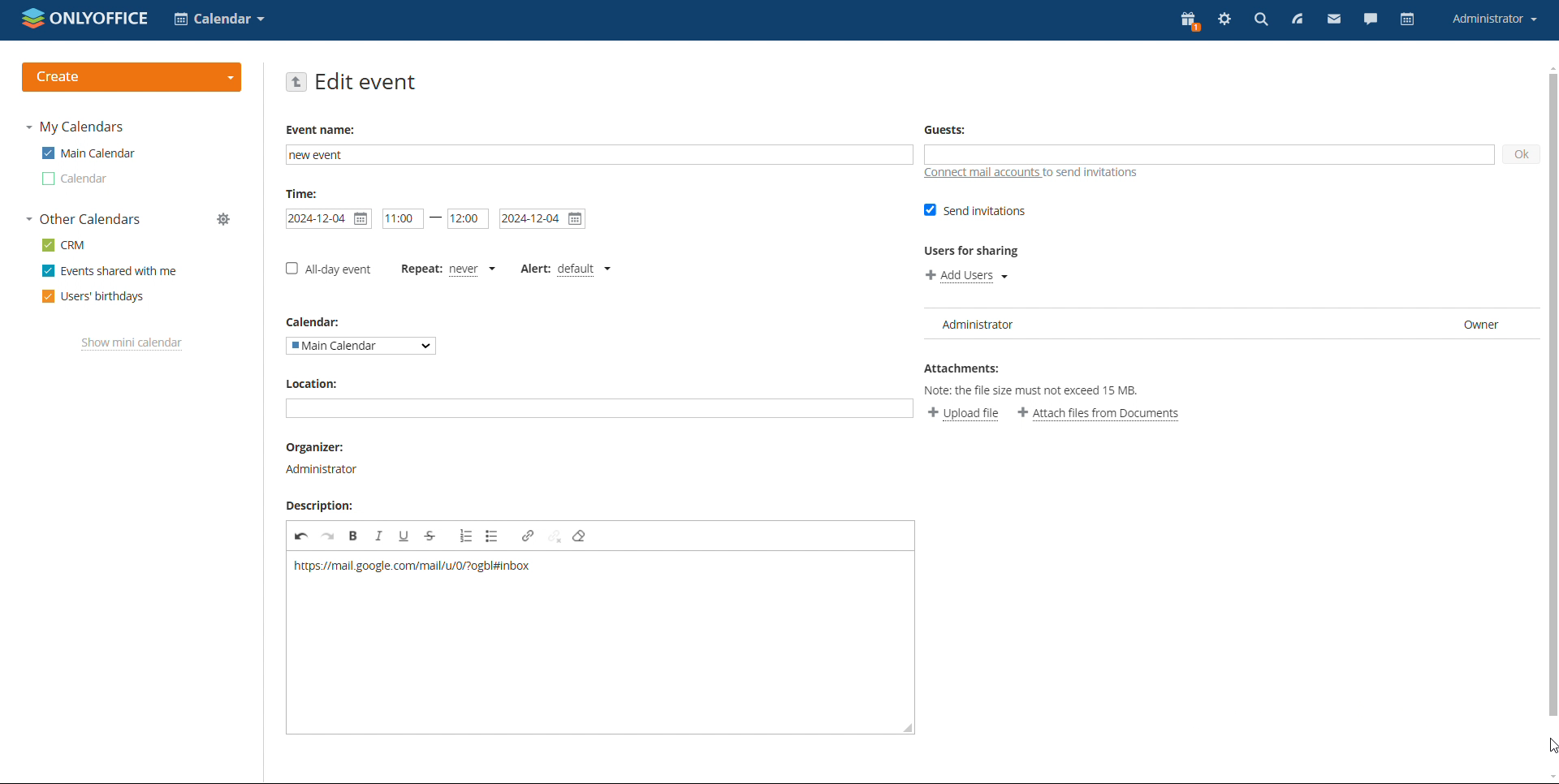 The image size is (1559, 784). What do you see at coordinates (354, 536) in the screenshot?
I see `bold` at bounding box center [354, 536].